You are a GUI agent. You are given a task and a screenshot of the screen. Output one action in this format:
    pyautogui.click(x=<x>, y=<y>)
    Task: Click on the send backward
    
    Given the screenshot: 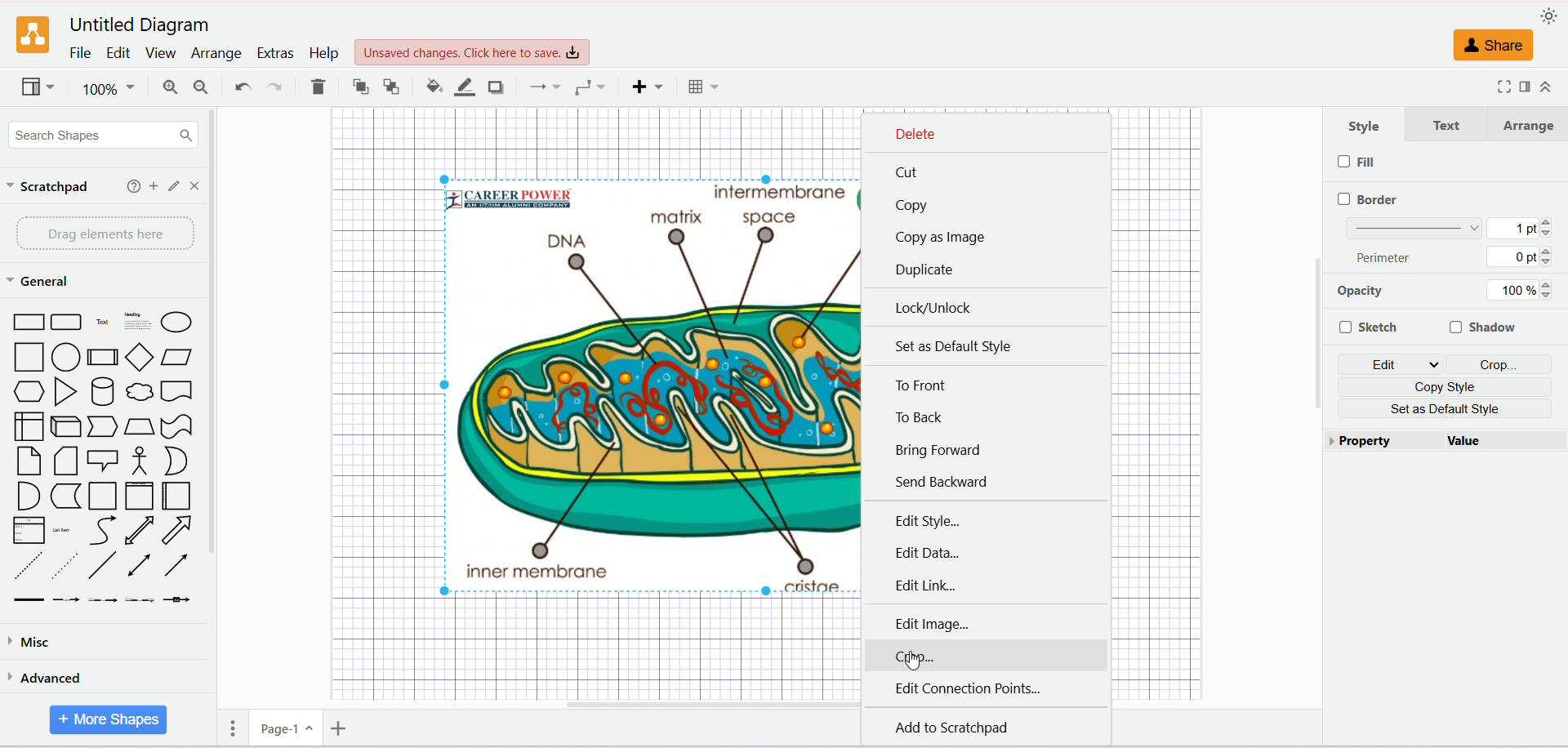 What is the action you would take?
    pyautogui.click(x=942, y=479)
    